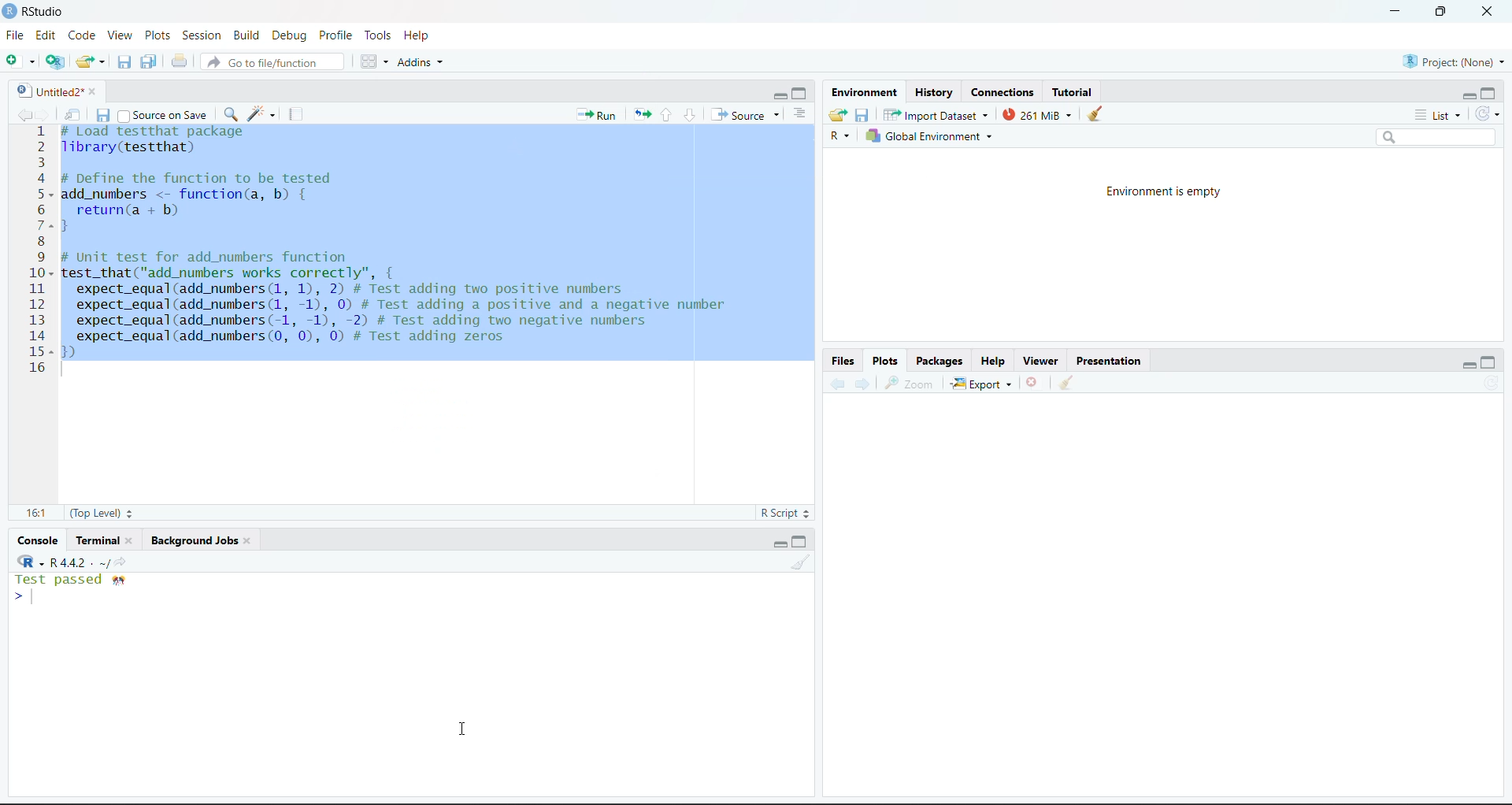  What do you see at coordinates (1066, 382) in the screenshot?
I see `Clear workspace` at bounding box center [1066, 382].